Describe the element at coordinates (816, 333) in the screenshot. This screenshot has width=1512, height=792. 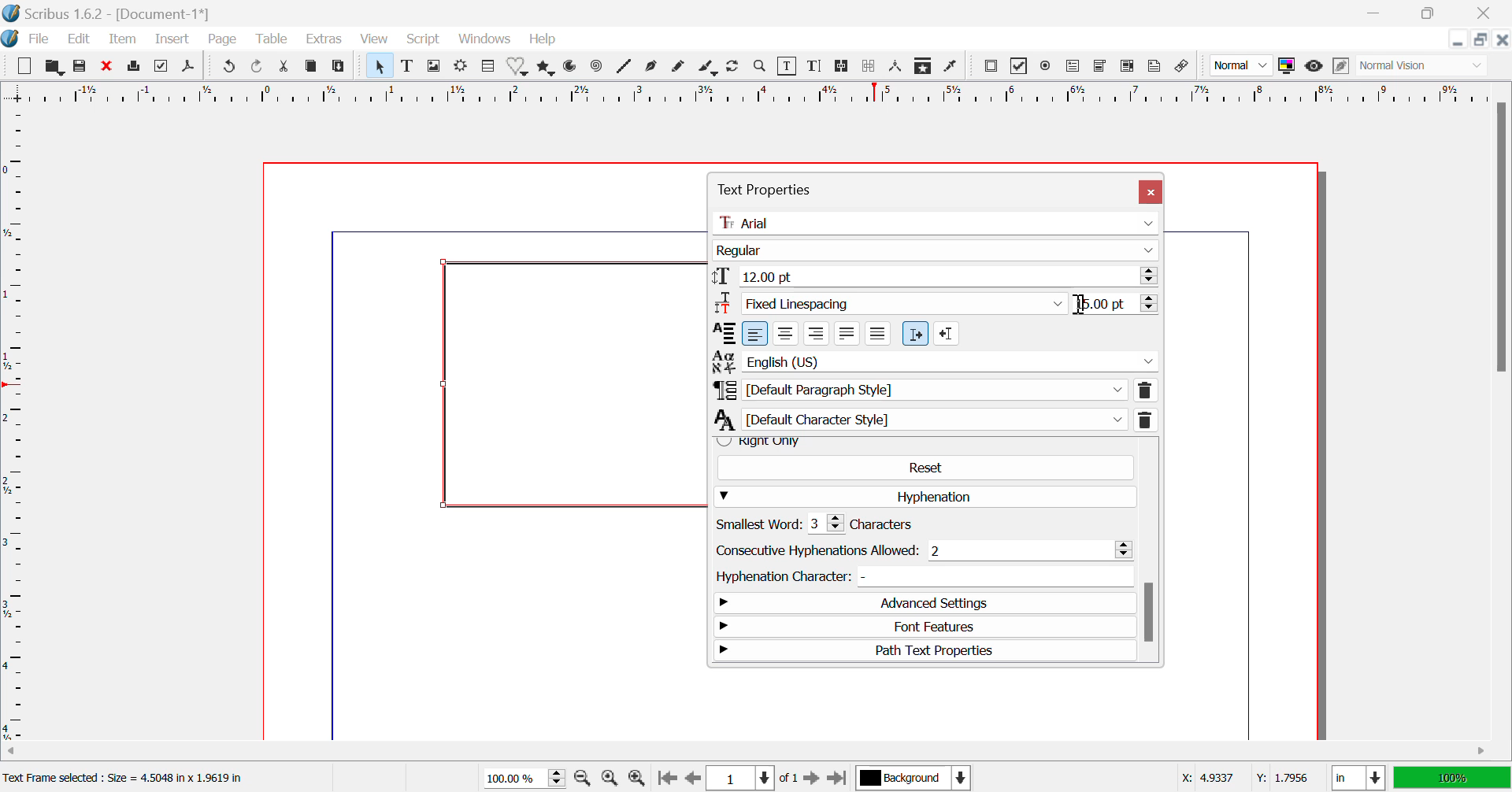
I see `Right align` at that location.